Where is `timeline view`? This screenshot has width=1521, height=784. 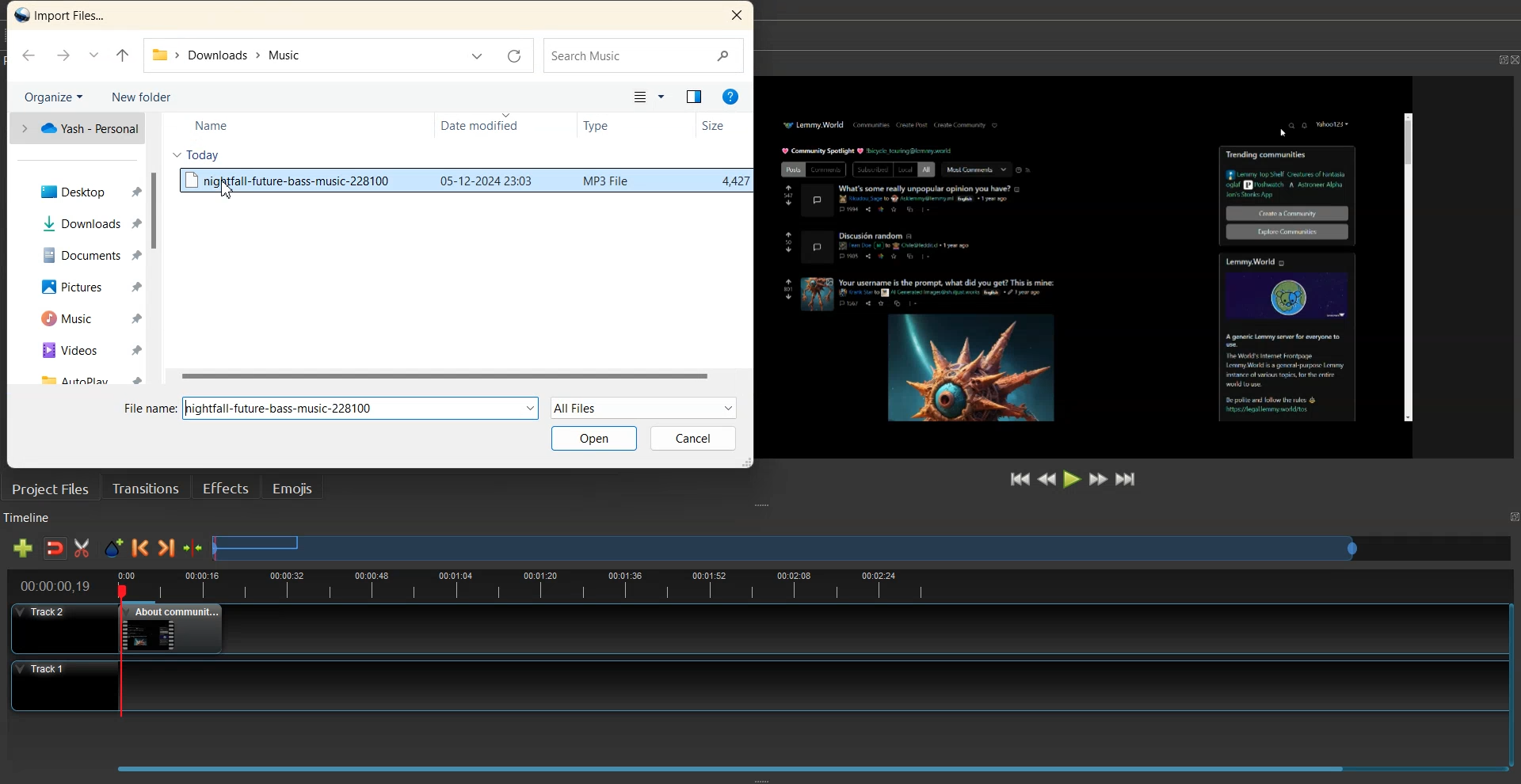 timeline view is located at coordinates (44, 584).